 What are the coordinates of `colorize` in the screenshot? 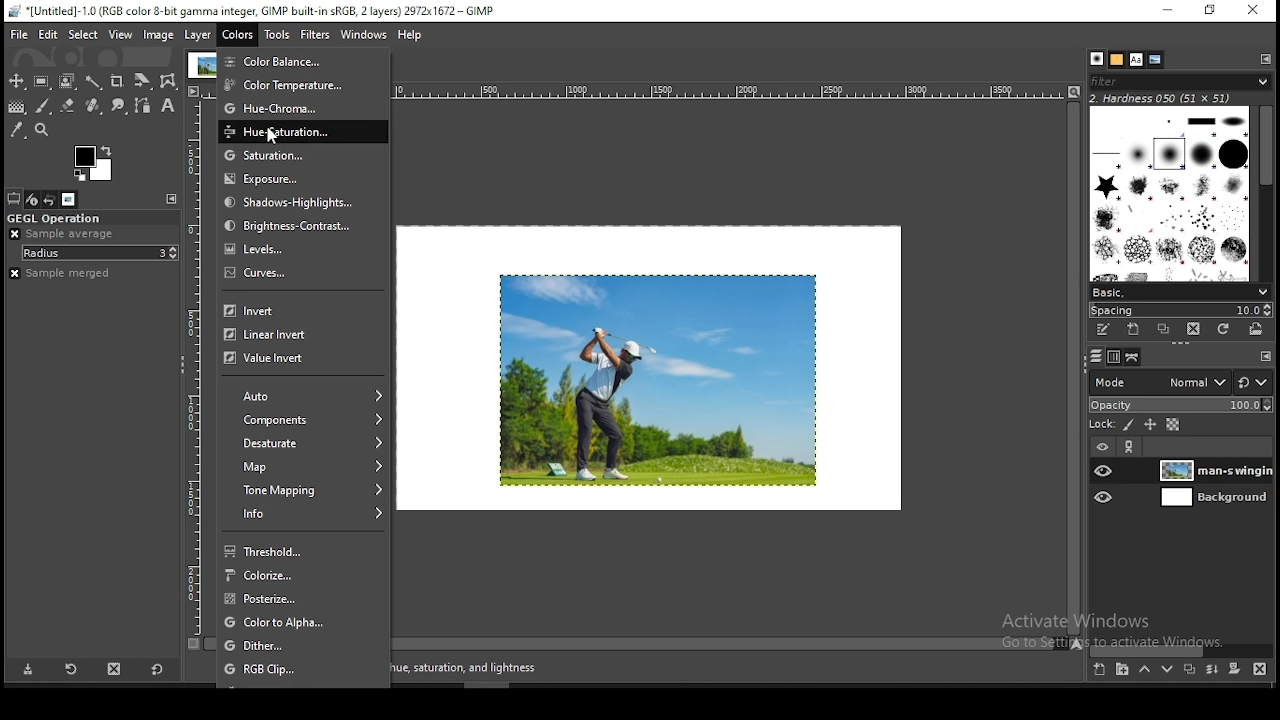 It's located at (306, 574).